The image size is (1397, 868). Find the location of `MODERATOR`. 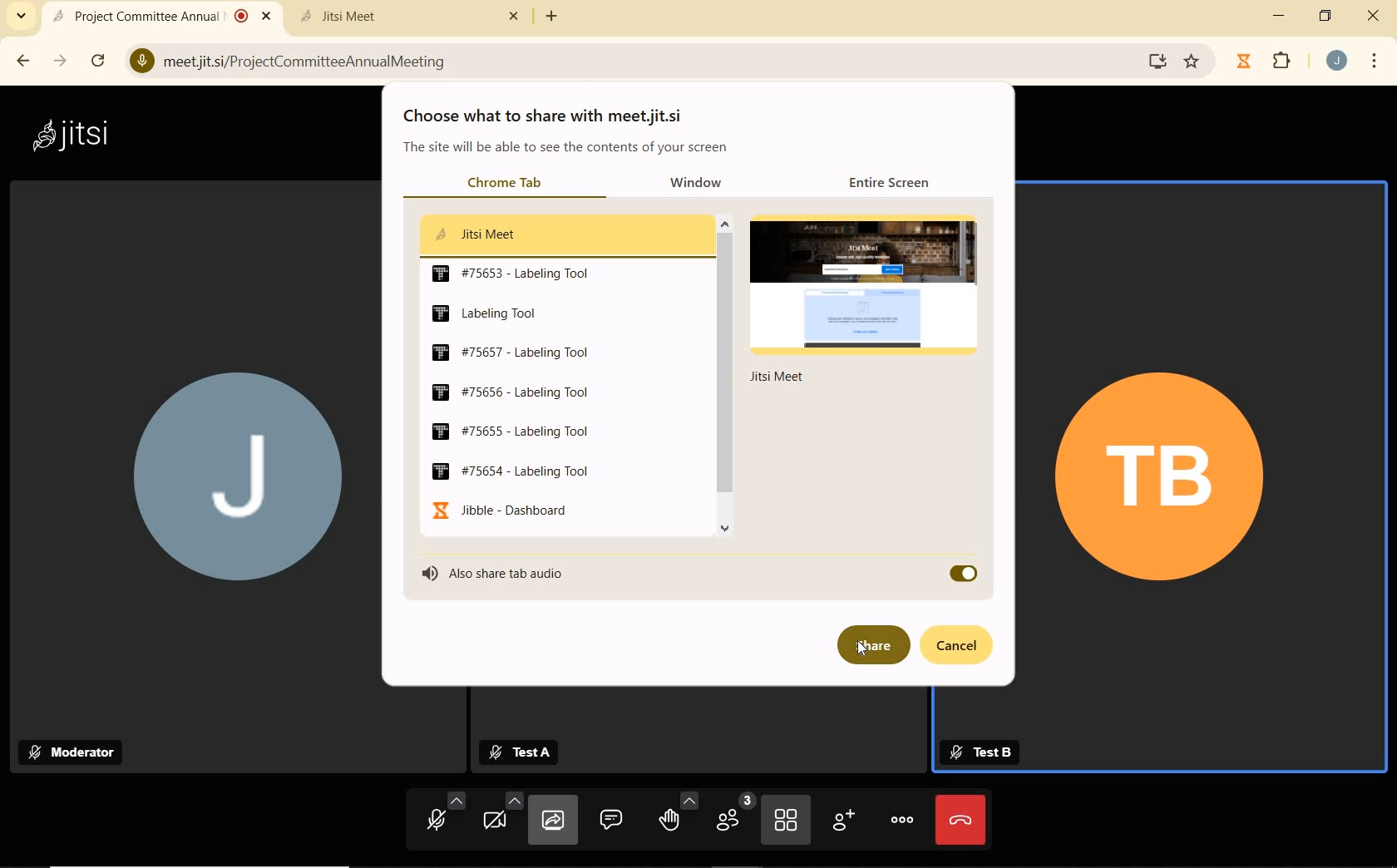

MODERATOR is located at coordinates (77, 752).